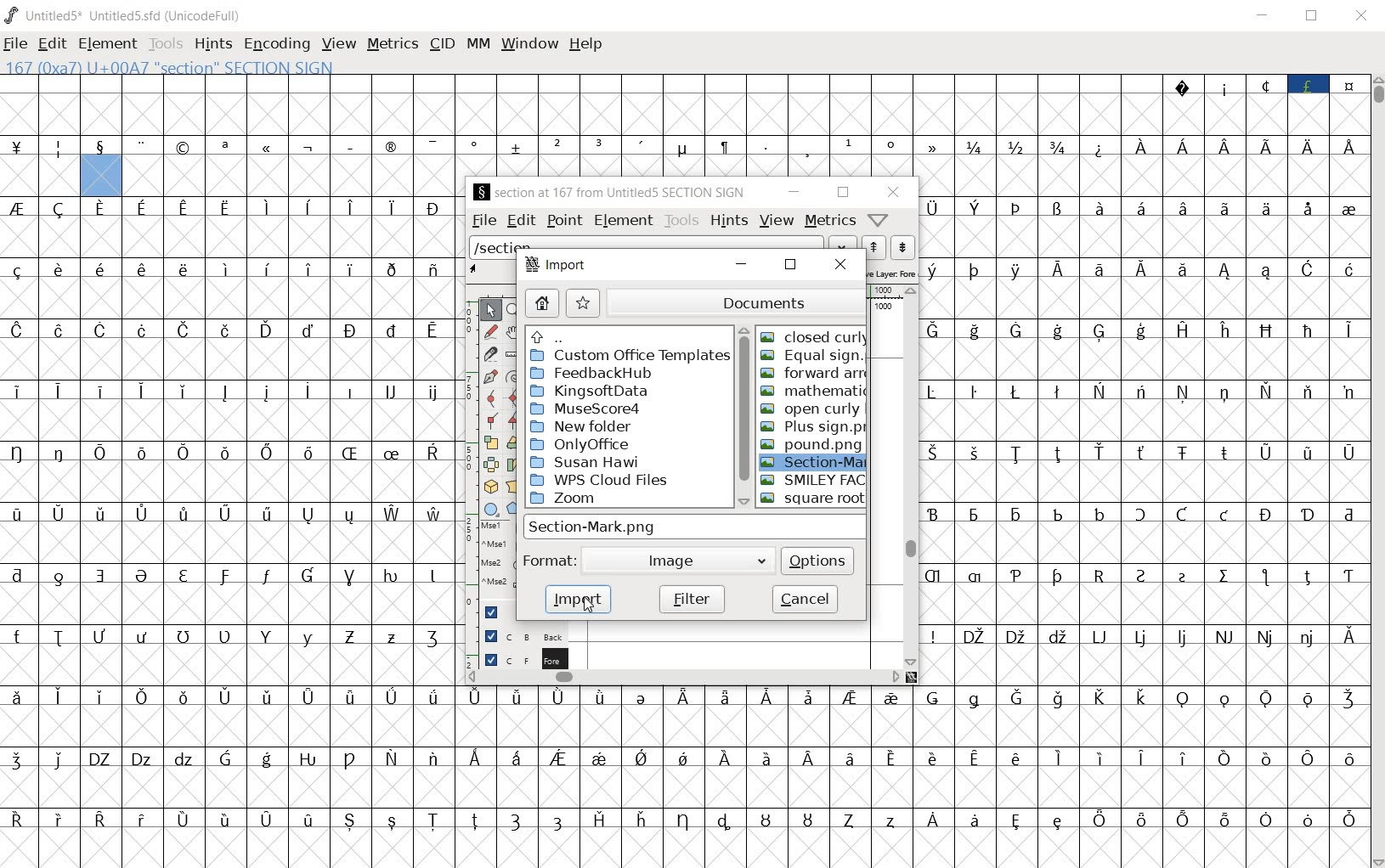 This screenshot has width=1385, height=868. What do you see at coordinates (526, 635) in the screenshot?
I see `background layer` at bounding box center [526, 635].